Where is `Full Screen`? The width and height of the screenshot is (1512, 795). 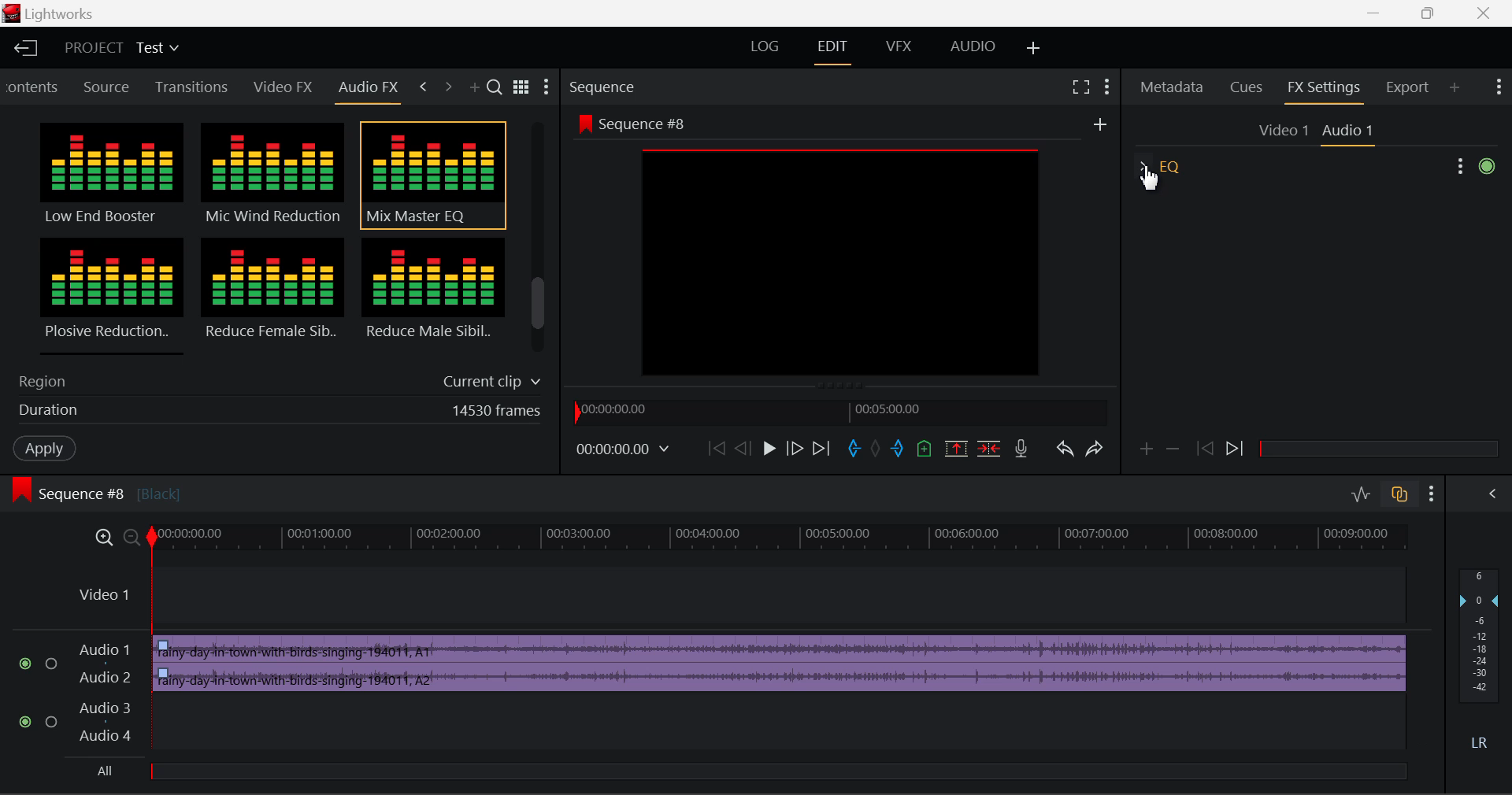
Full Screen is located at coordinates (1080, 87).